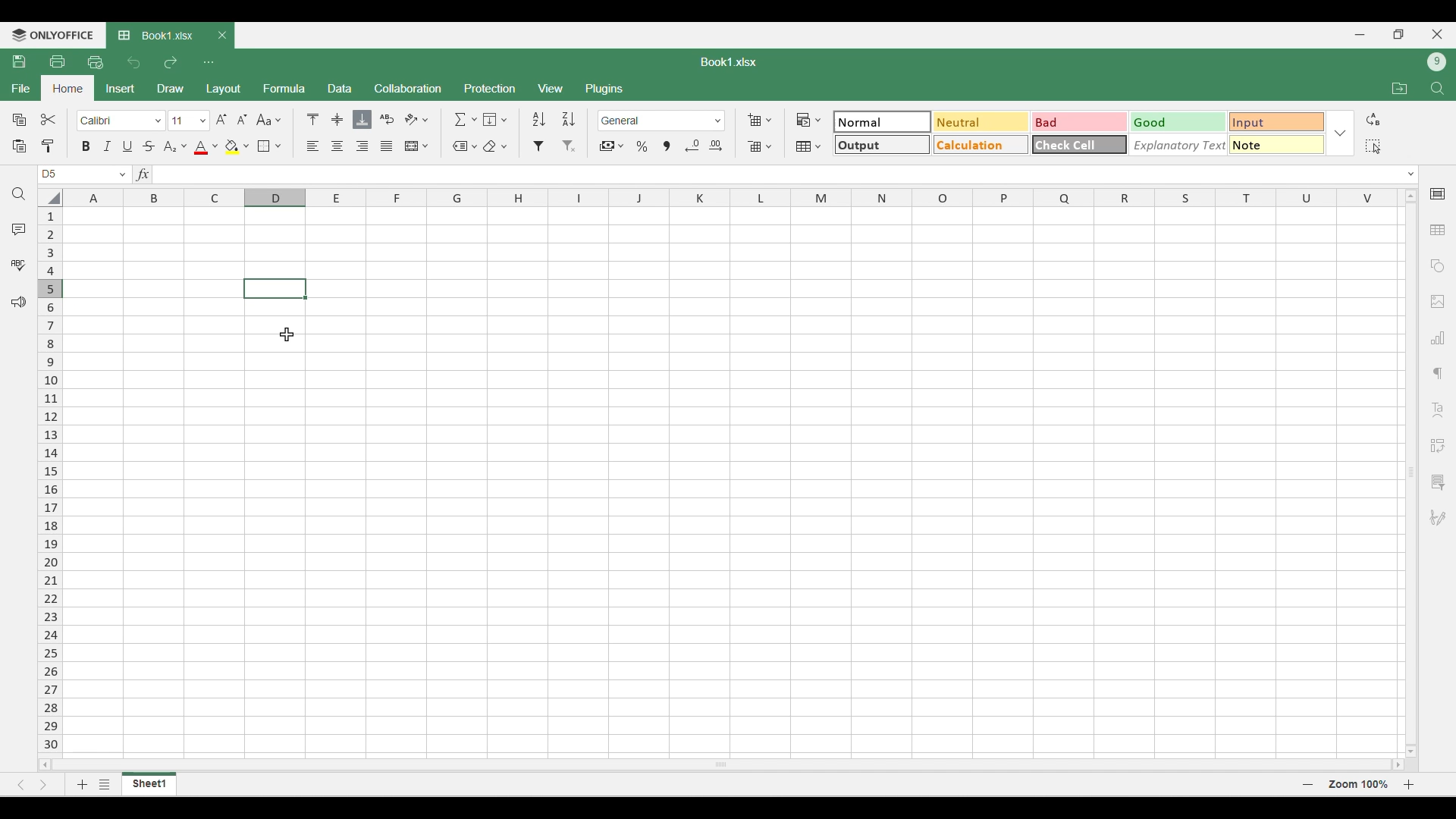 The image size is (1456, 819). What do you see at coordinates (662, 121) in the screenshot?
I see `Number format options` at bounding box center [662, 121].